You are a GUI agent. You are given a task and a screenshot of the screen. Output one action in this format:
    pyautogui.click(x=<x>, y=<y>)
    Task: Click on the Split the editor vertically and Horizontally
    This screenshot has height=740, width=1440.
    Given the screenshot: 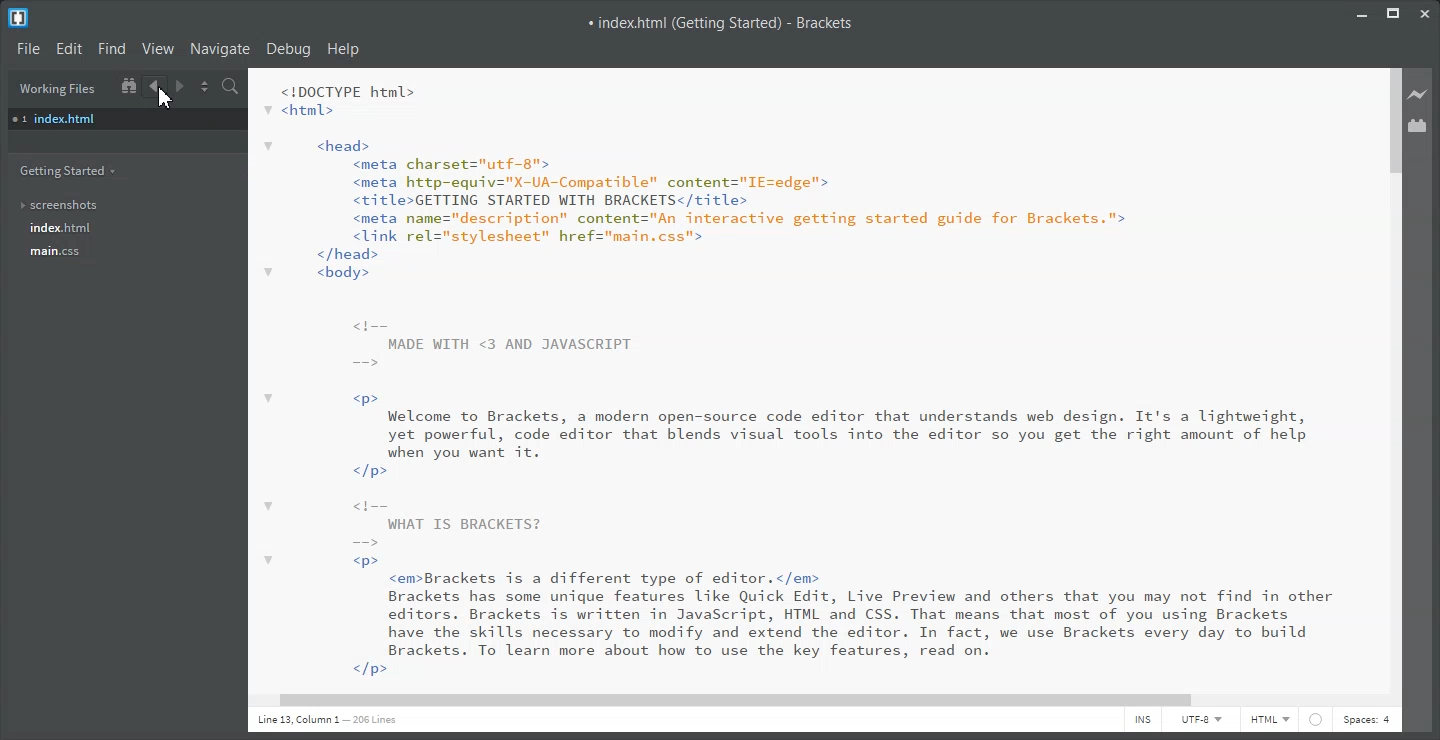 What is the action you would take?
    pyautogui.click(x=205, y=87)
    